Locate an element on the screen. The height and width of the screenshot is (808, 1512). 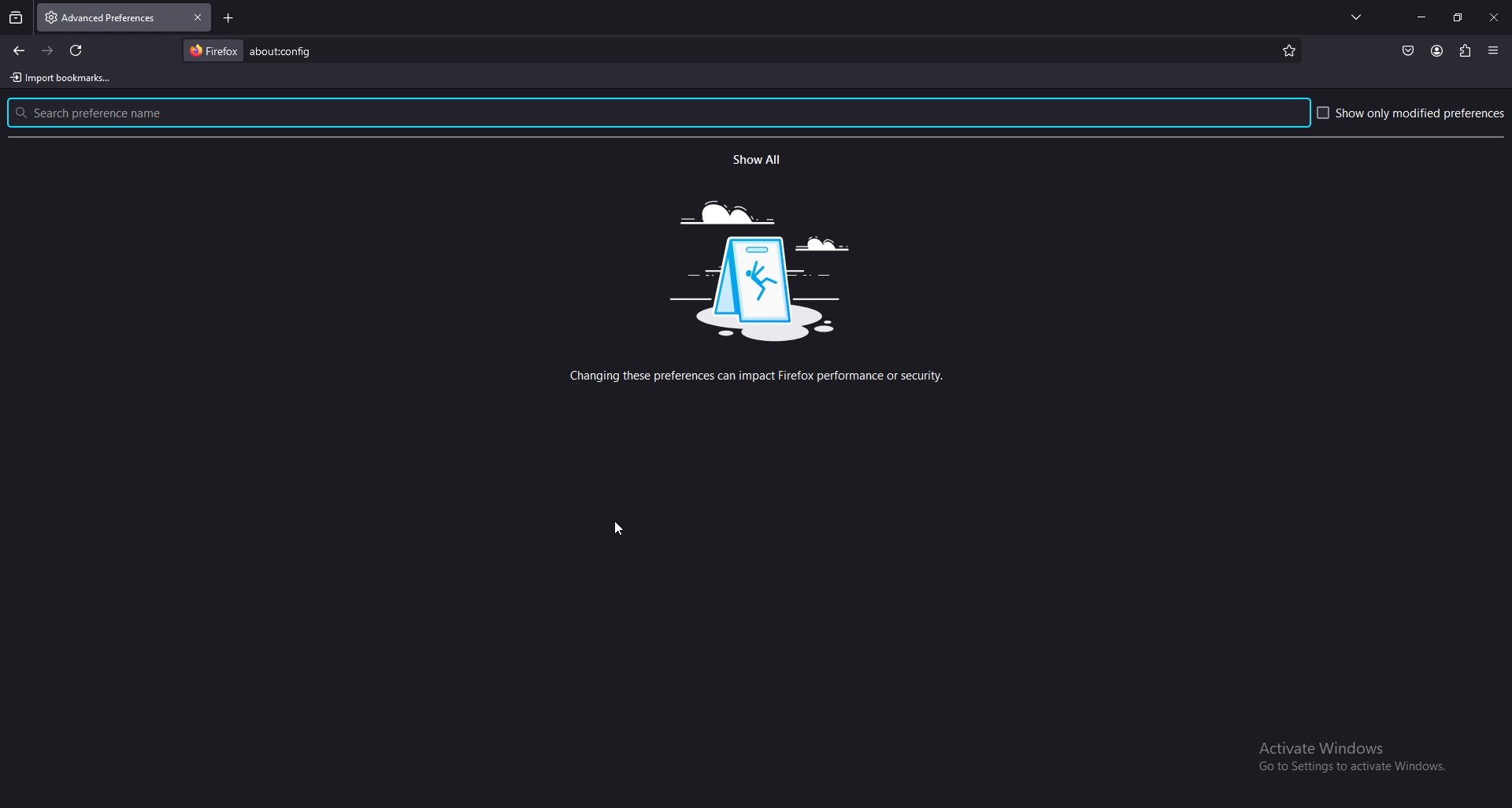
warning image is located at coordinates (765, 274).